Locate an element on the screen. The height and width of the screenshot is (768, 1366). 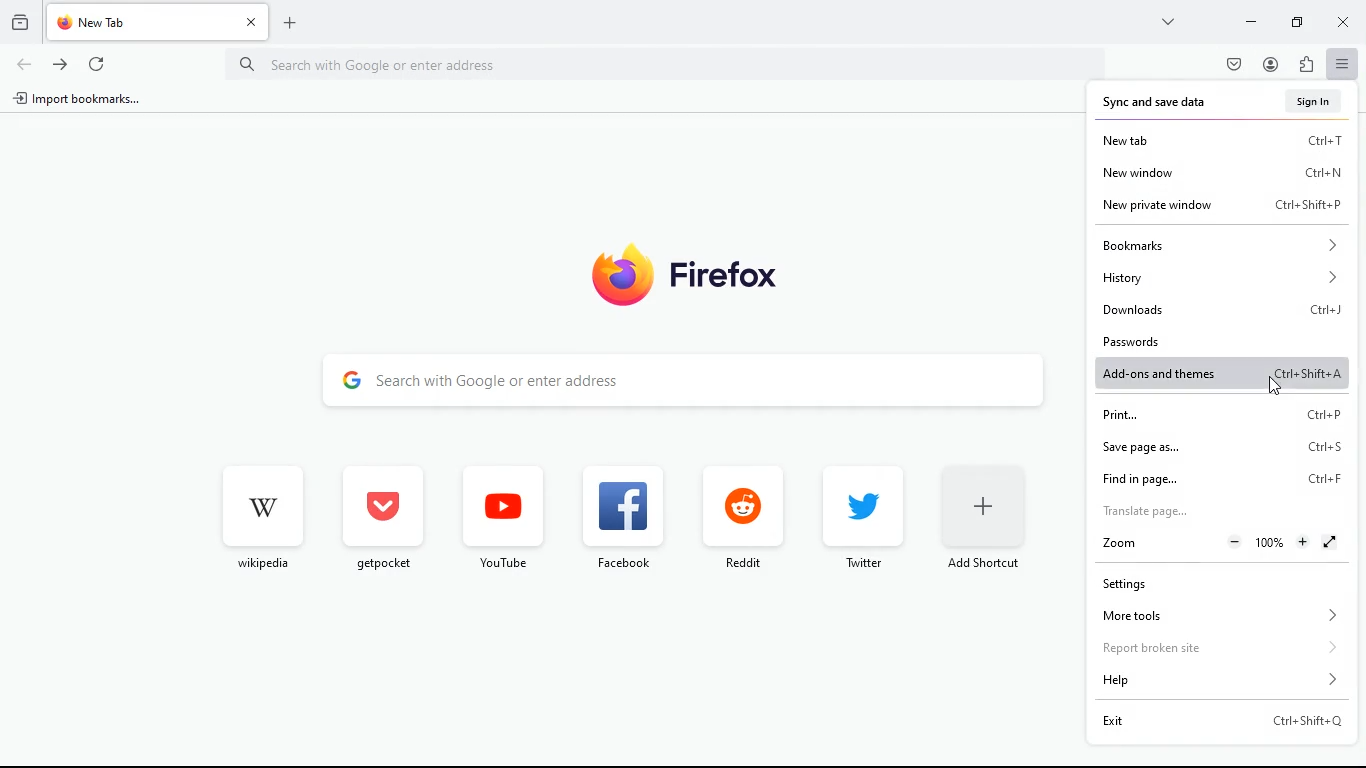
sign in is located at coordinates (1311, 101).